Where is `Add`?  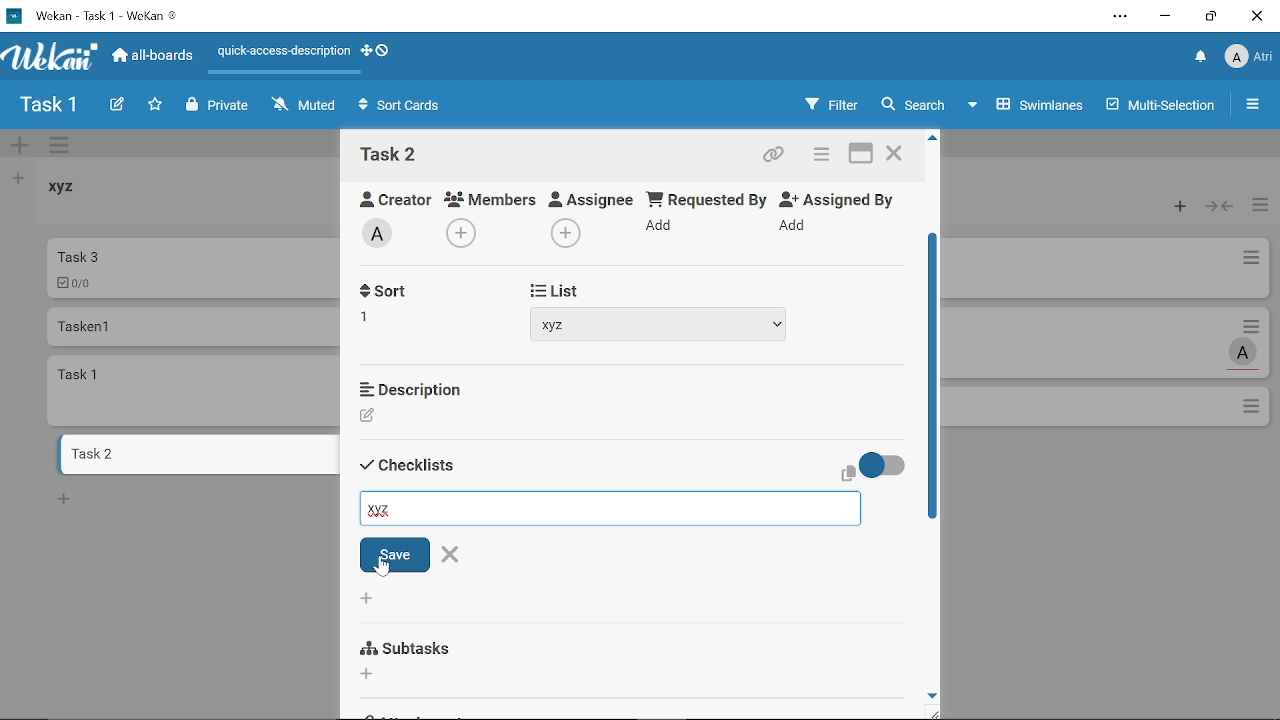
Add is located at coordinates (368, 600).